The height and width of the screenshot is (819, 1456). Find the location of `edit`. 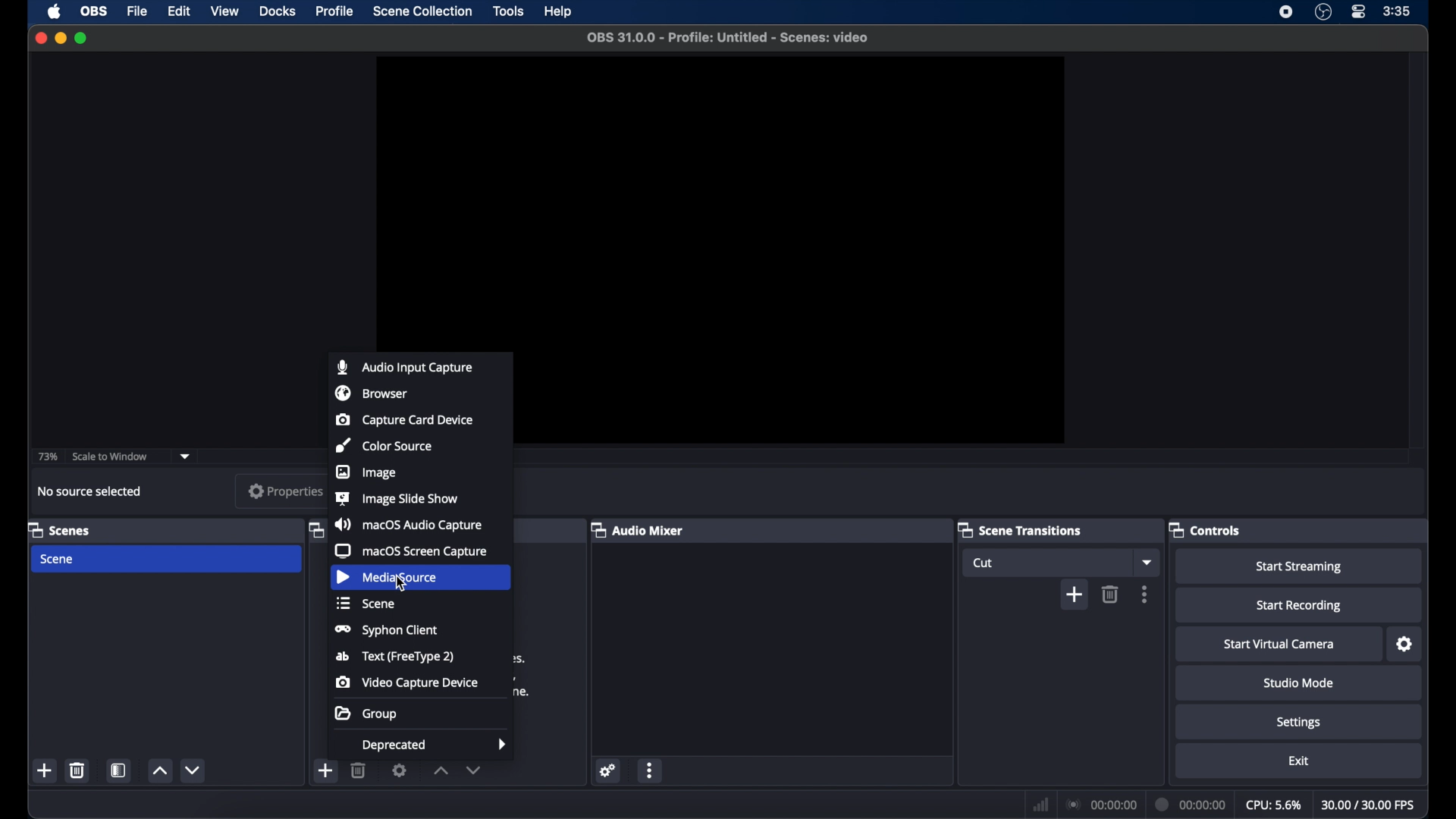

edit is located at coordinates (179, 11).